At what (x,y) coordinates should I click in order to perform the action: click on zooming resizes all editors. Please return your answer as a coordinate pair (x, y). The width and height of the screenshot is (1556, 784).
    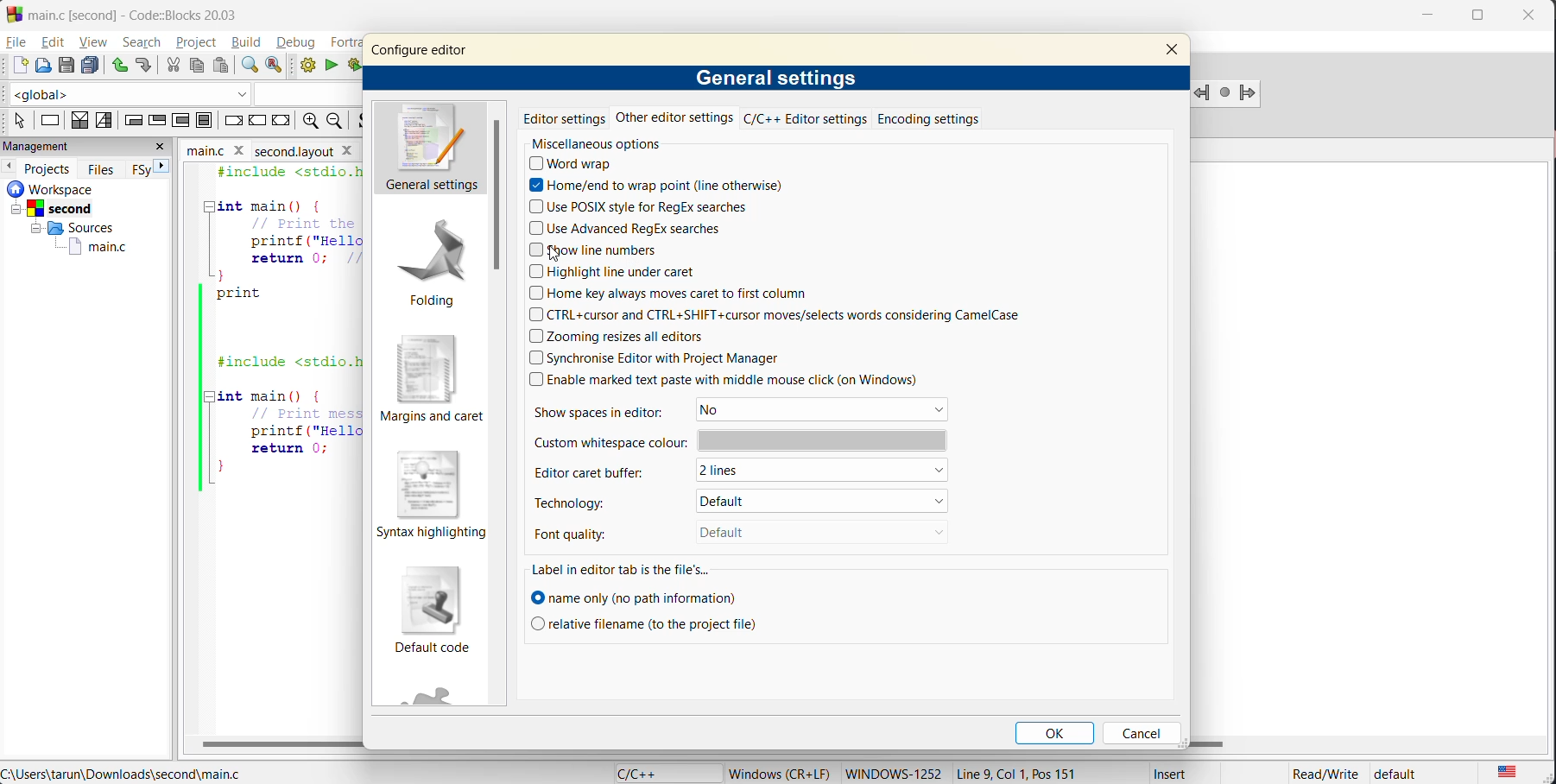
    Looking at the image, I should click on (633, 338).